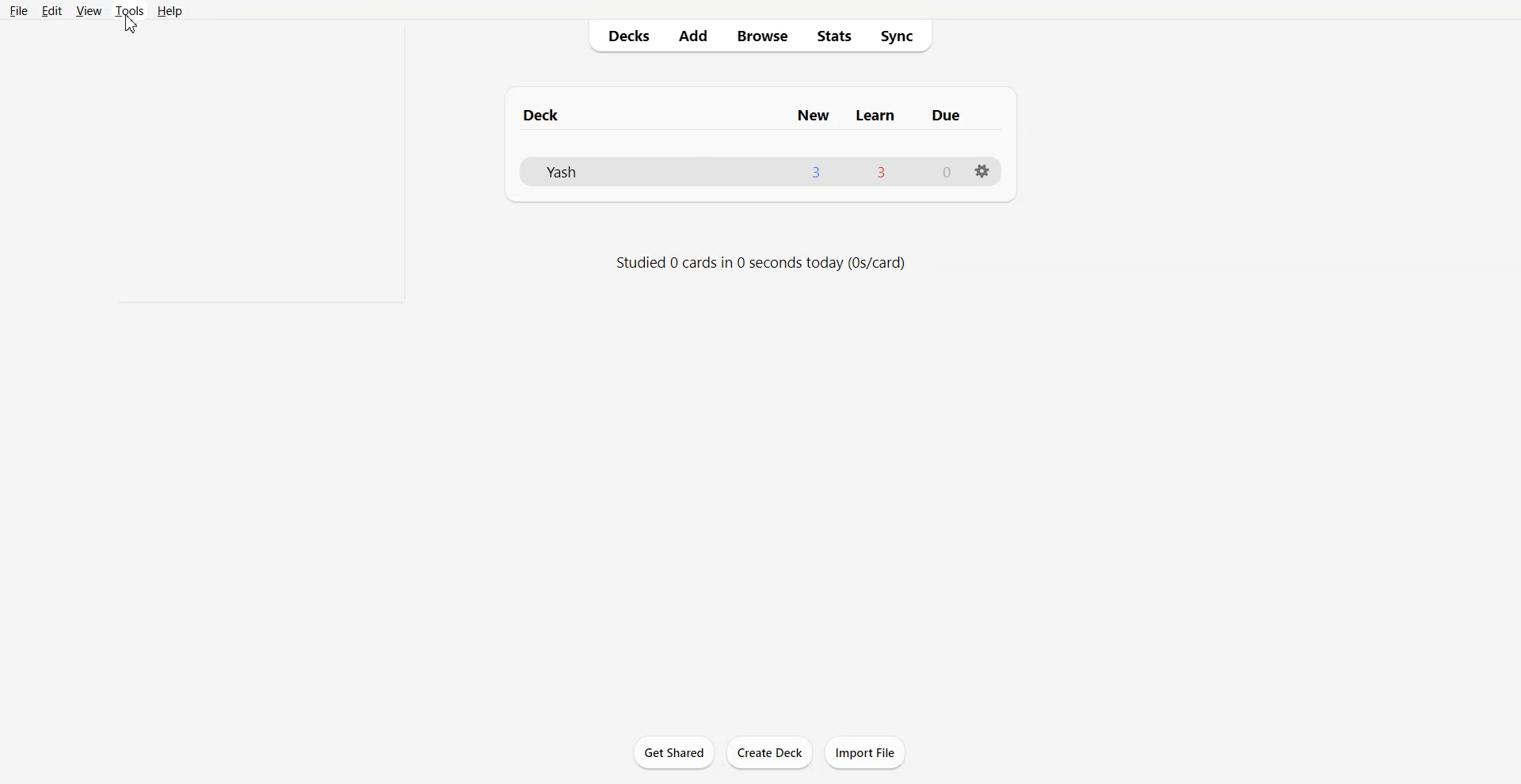  Describe the element at coordinates (882, 171) in the screenshot. I see `3` at that location.